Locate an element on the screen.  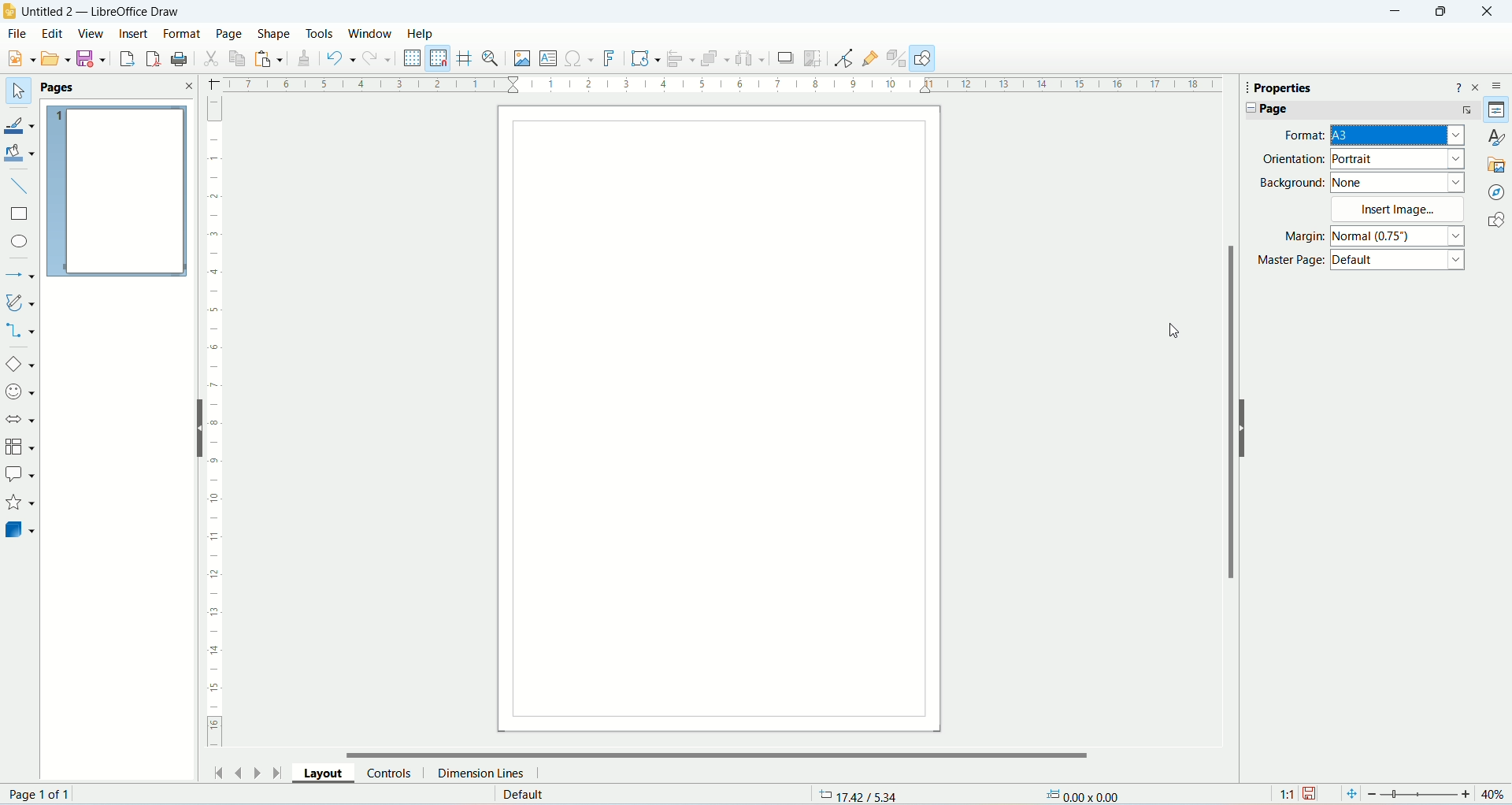
insert special character is located at coordinates (577, 59).